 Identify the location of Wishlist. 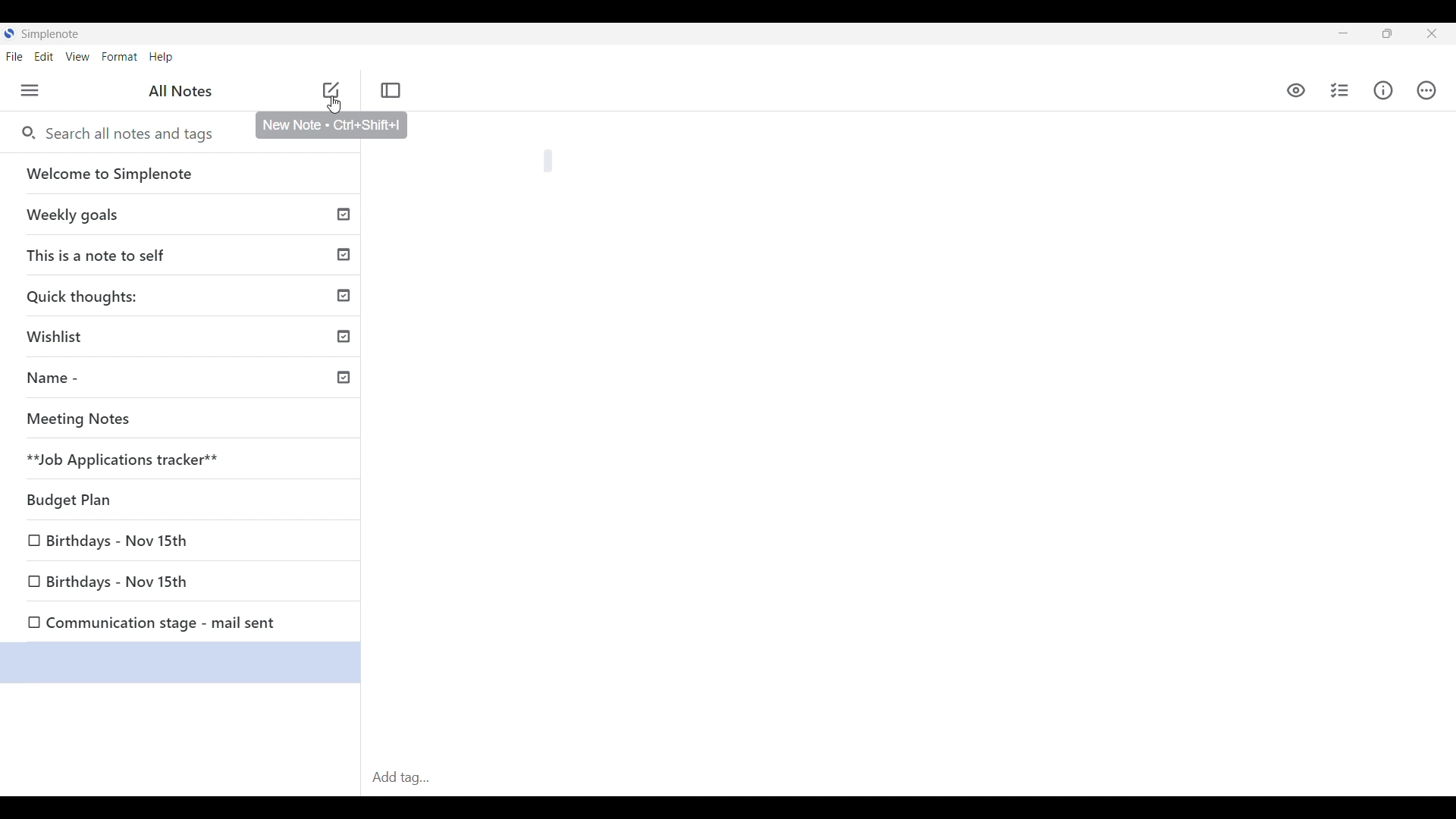
(186, 339).